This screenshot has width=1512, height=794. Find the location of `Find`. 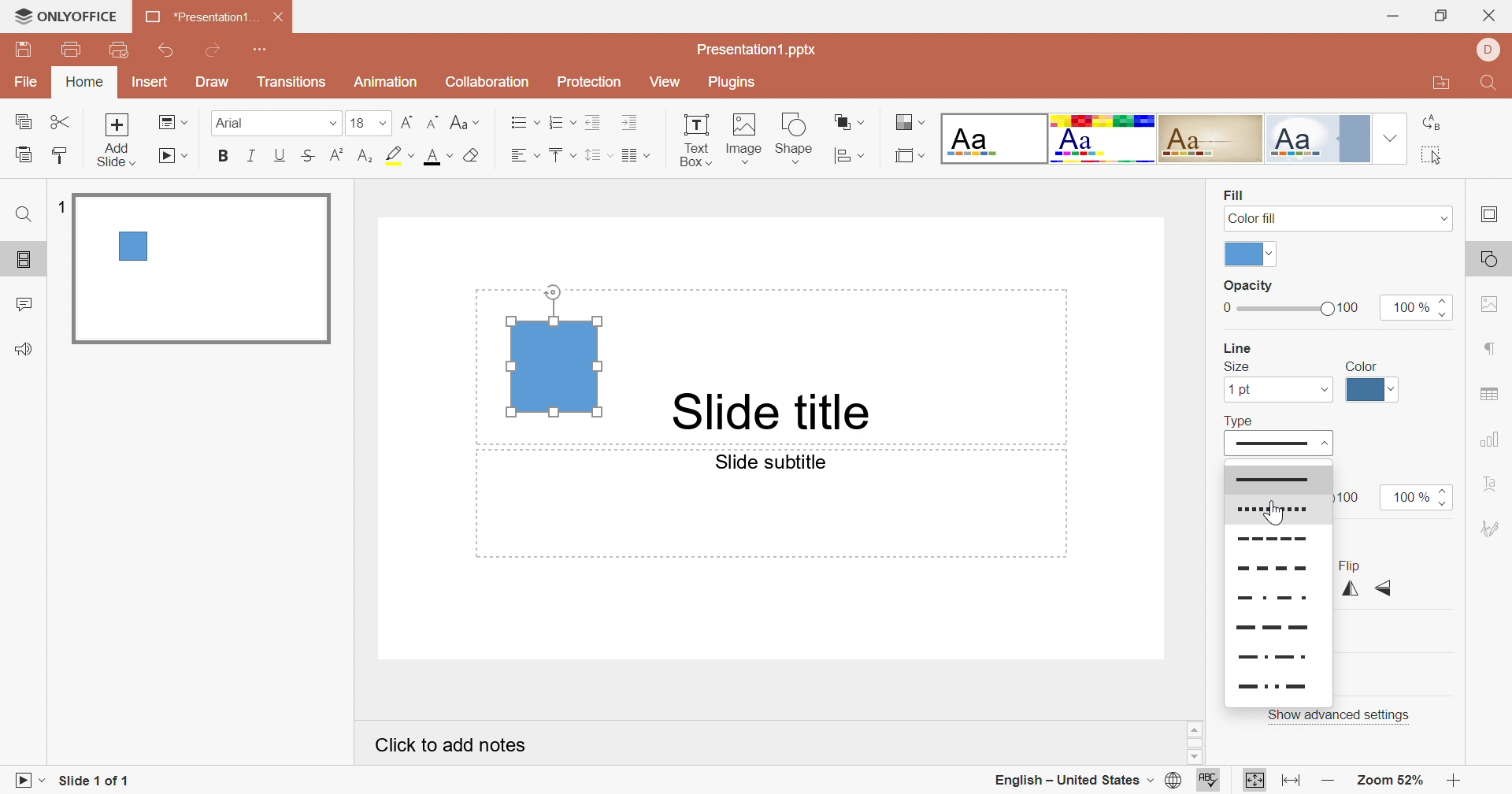

Find is located at coordinates (23, 217).